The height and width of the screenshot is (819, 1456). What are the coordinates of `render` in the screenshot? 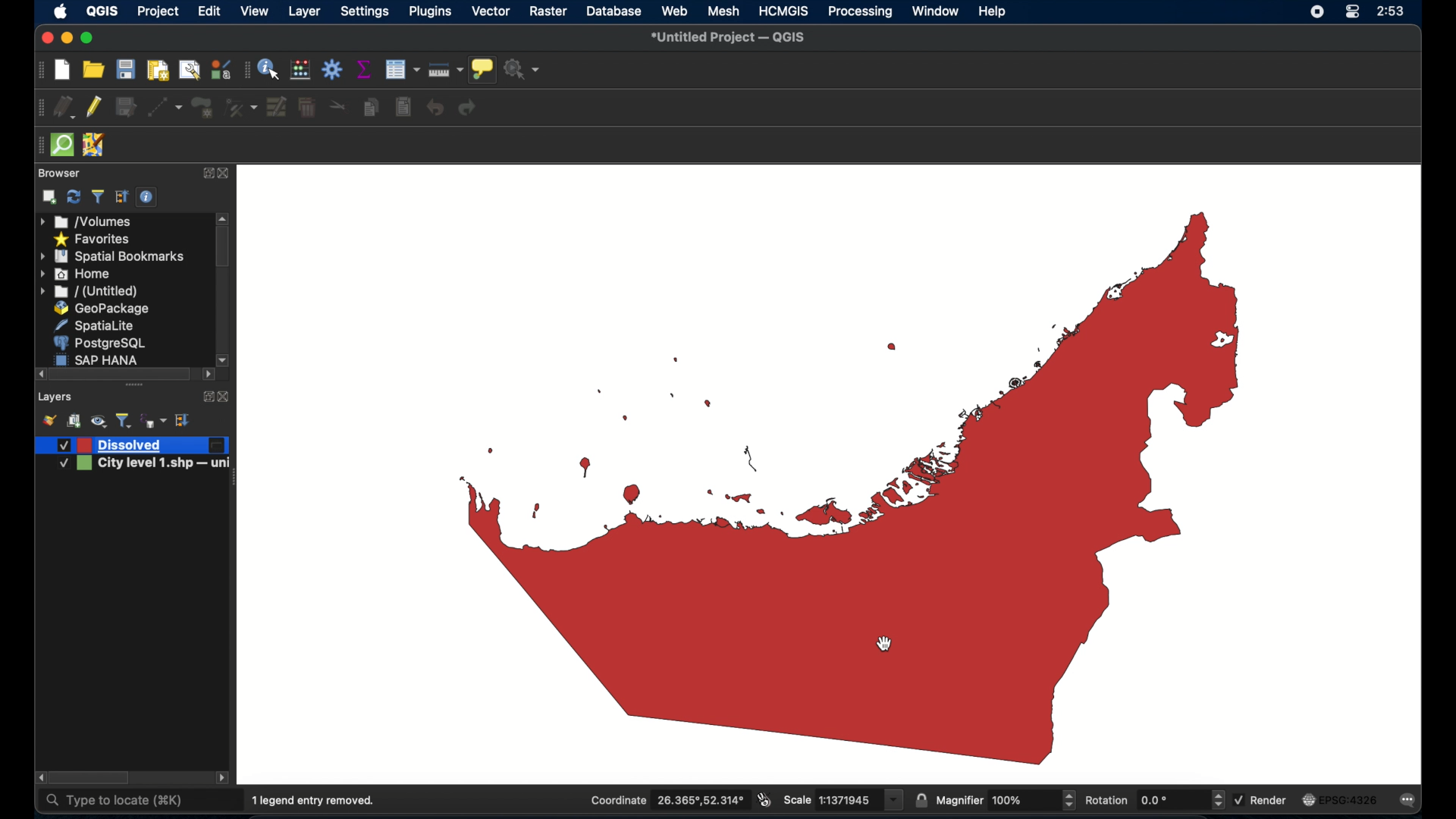 It's located at (1263, 800).